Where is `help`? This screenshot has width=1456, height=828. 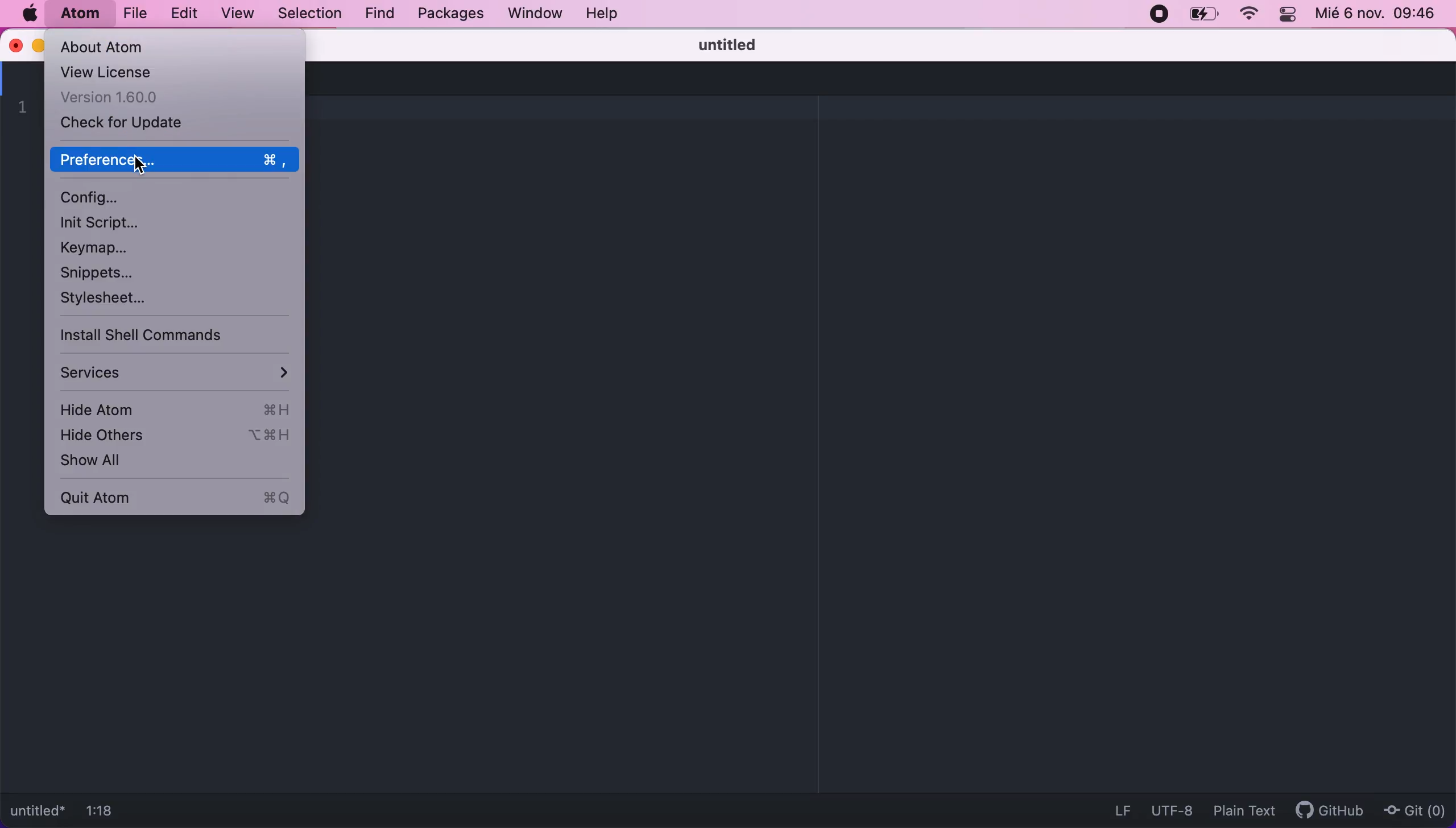 help is located at coordinates (610, 14).